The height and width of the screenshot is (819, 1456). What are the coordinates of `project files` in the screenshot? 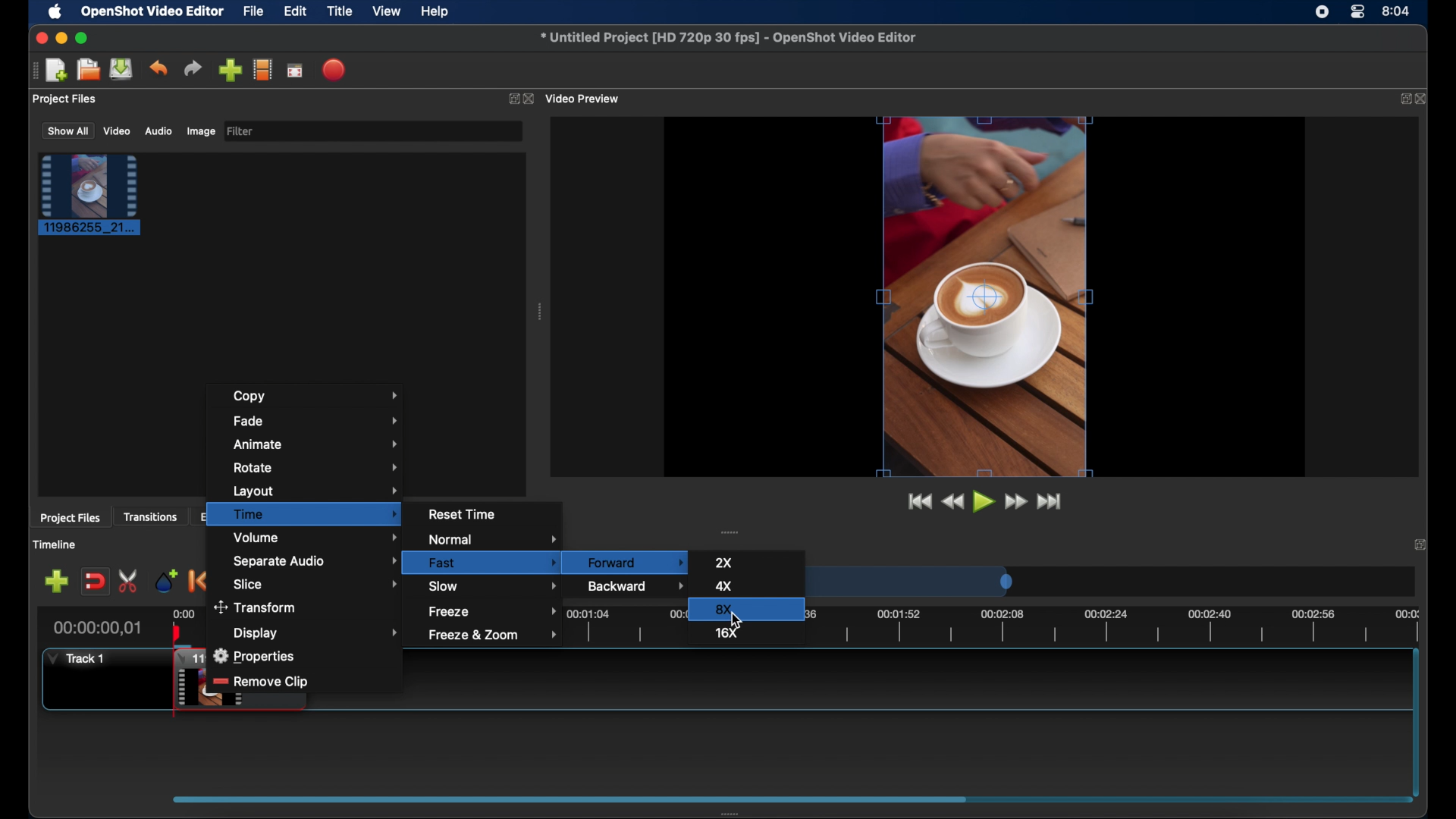 It's located at (71, 519).